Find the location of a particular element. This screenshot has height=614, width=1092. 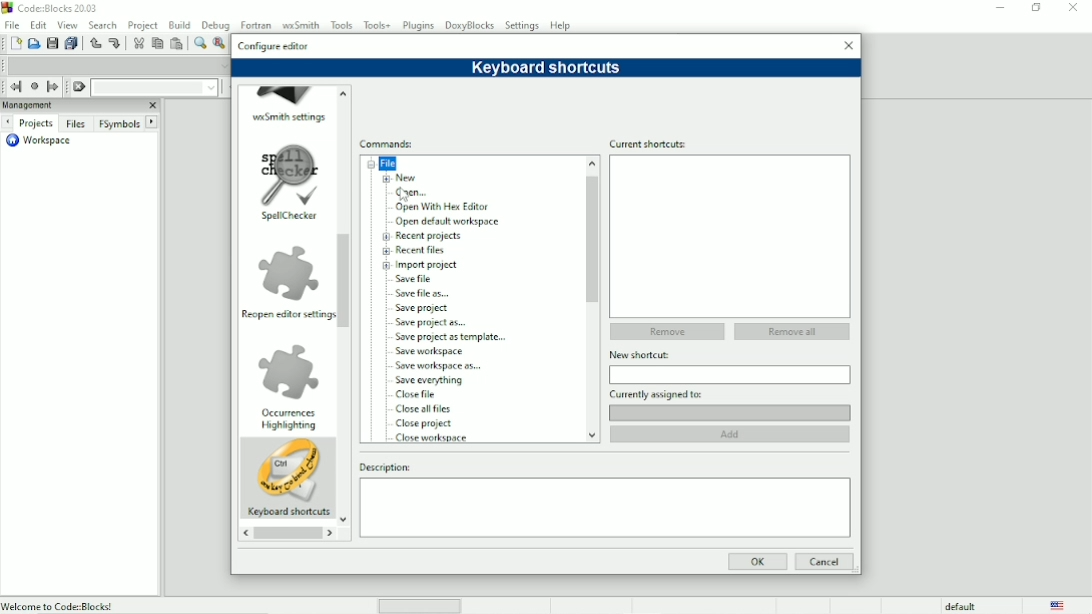

Occurrences highlighting is located at coordinates (288, 421).